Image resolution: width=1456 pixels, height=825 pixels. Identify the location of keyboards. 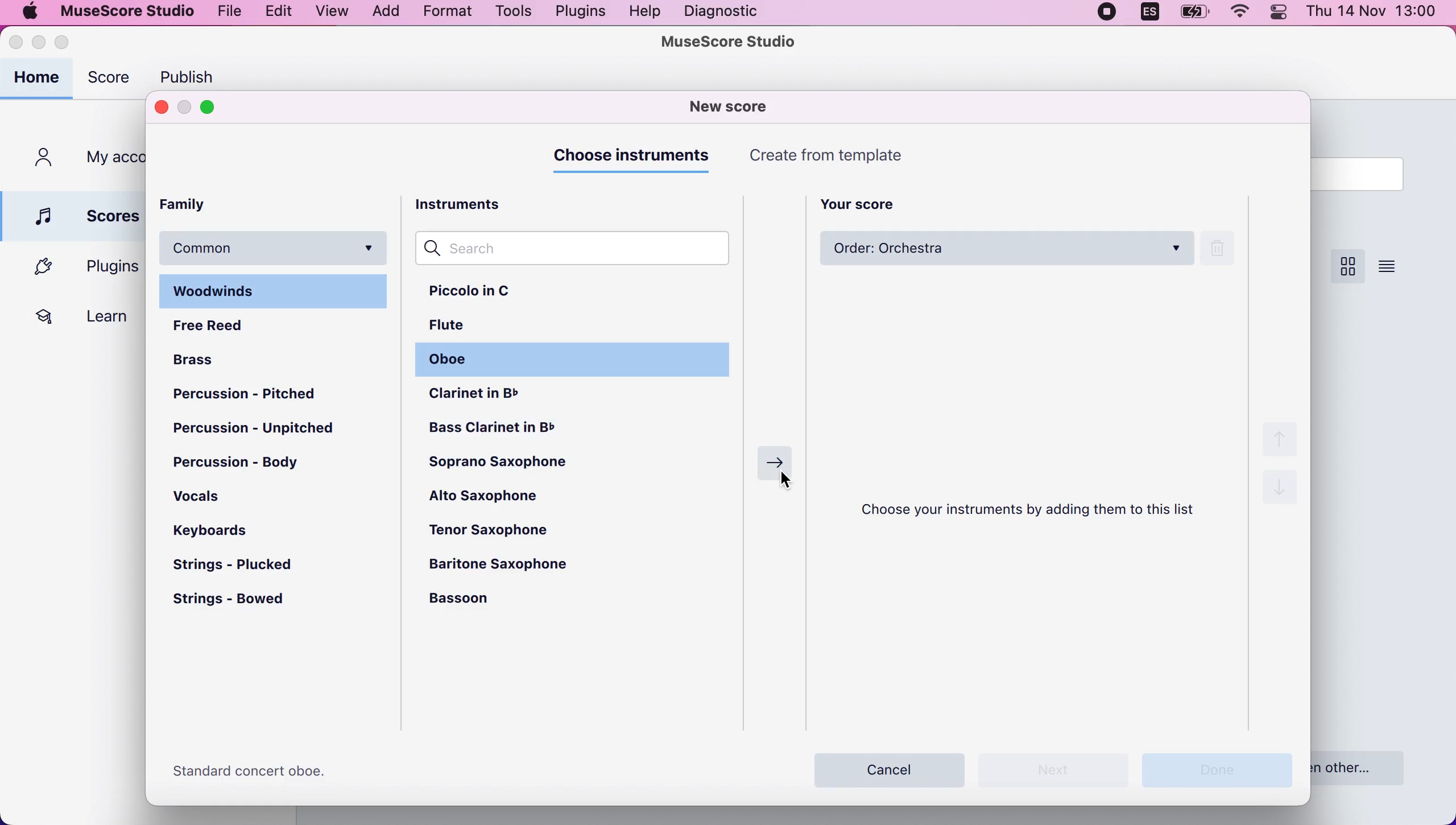
(215, 529).